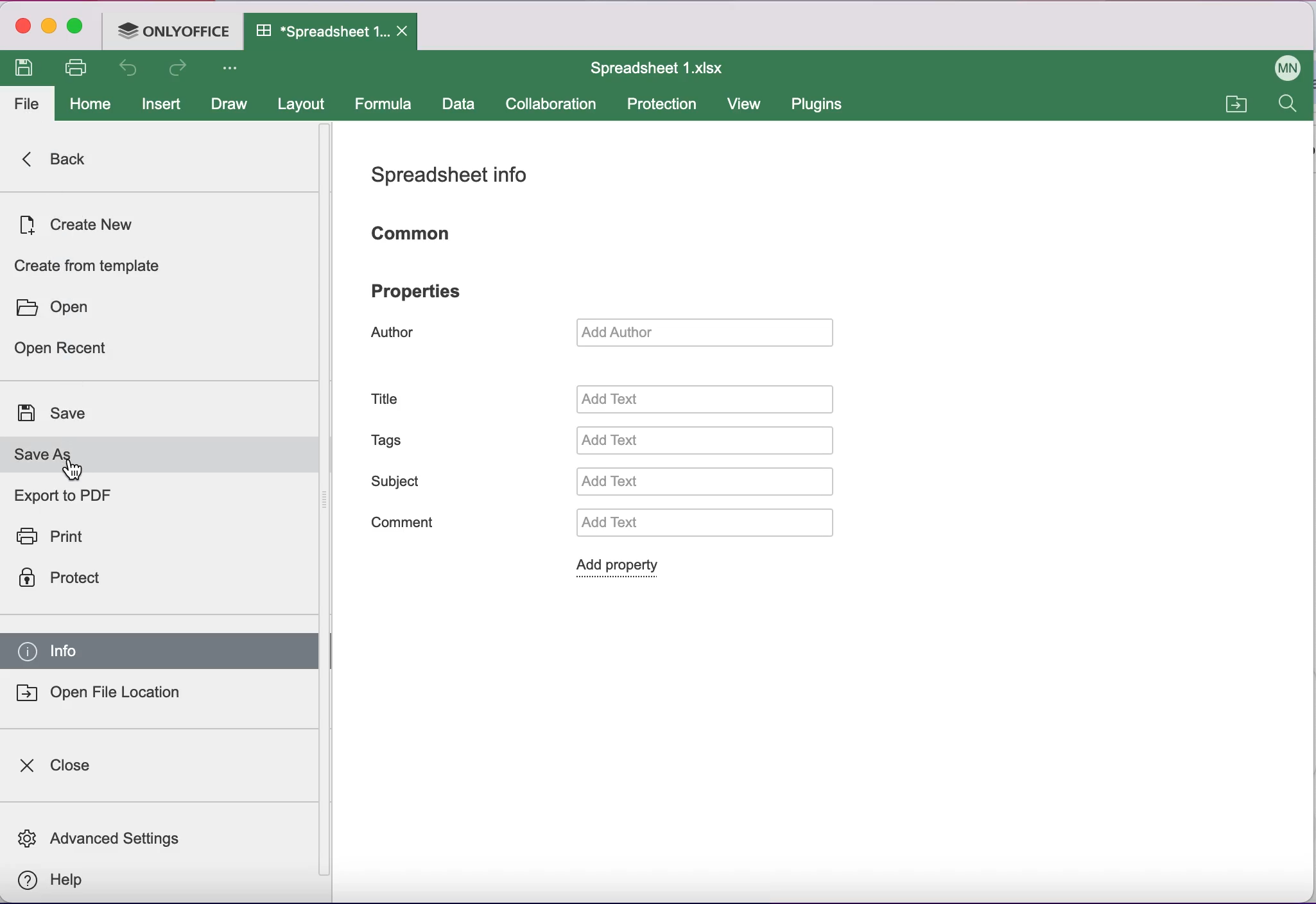 This screenshot has height=904, width=1316. I want to click on save as, so click(160, 457).